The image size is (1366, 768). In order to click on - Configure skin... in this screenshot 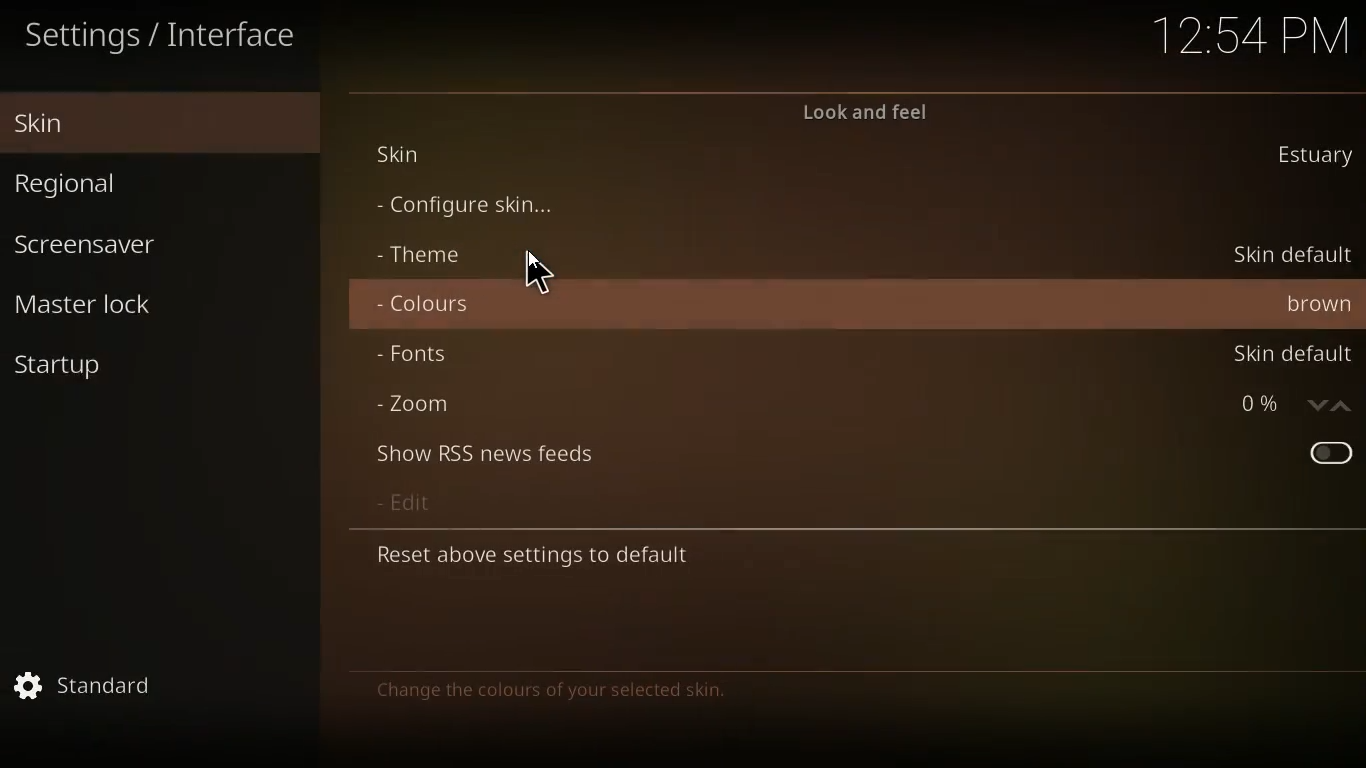, I will do `click(458, 206)`.